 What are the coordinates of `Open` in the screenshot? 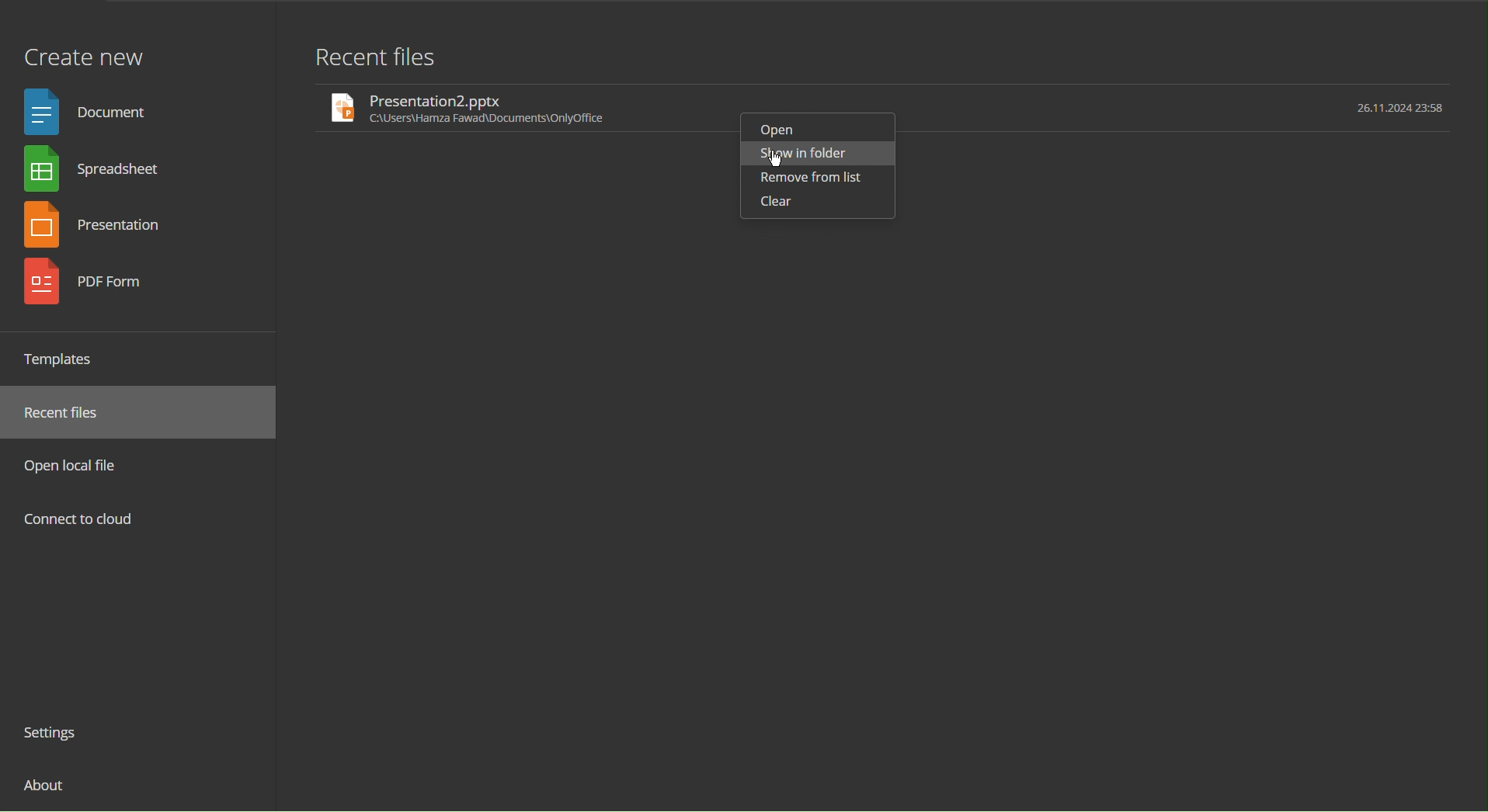 It's located at (783, 127).